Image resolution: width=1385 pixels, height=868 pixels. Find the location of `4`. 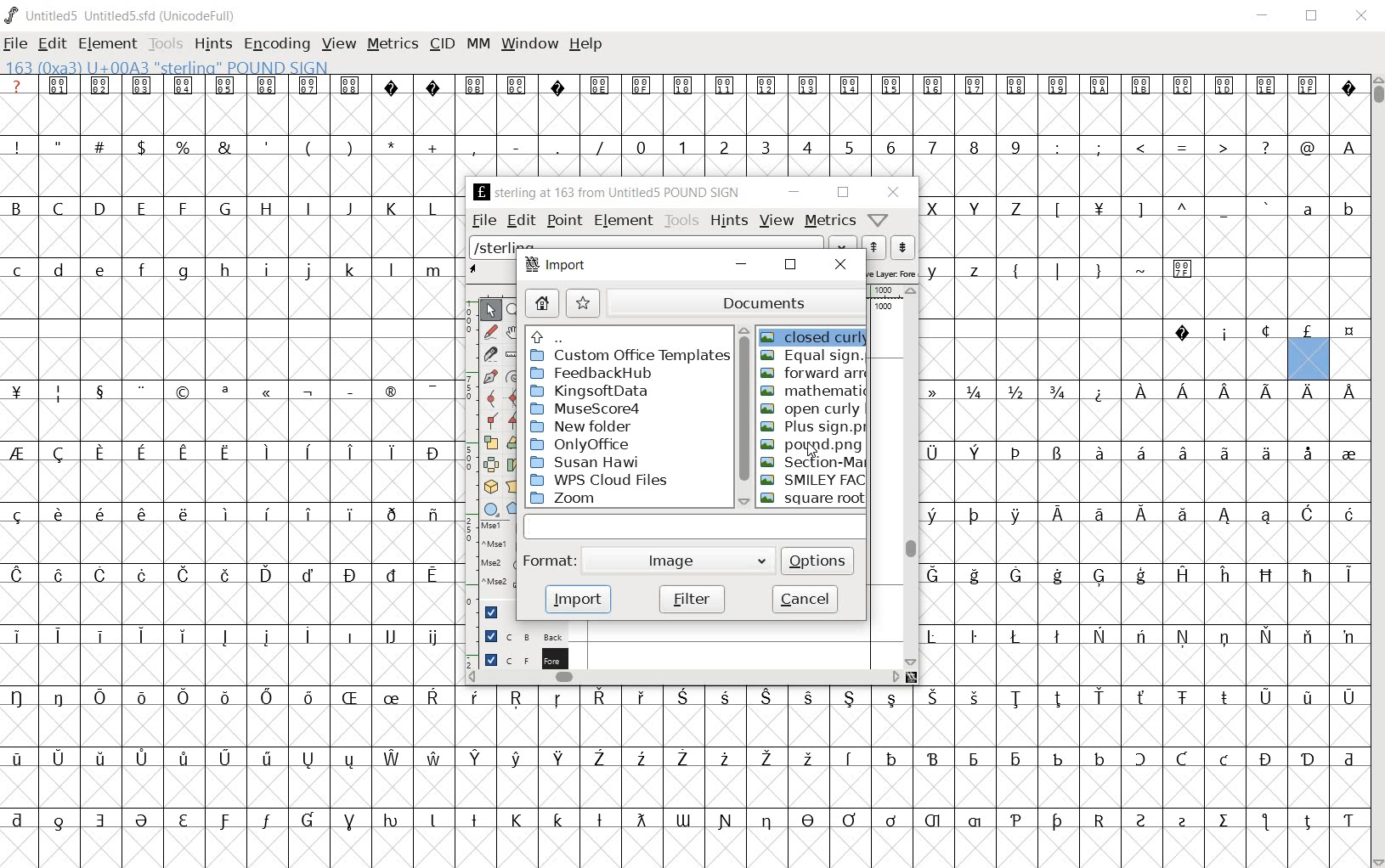

4 is located at coordinates (806, 146).